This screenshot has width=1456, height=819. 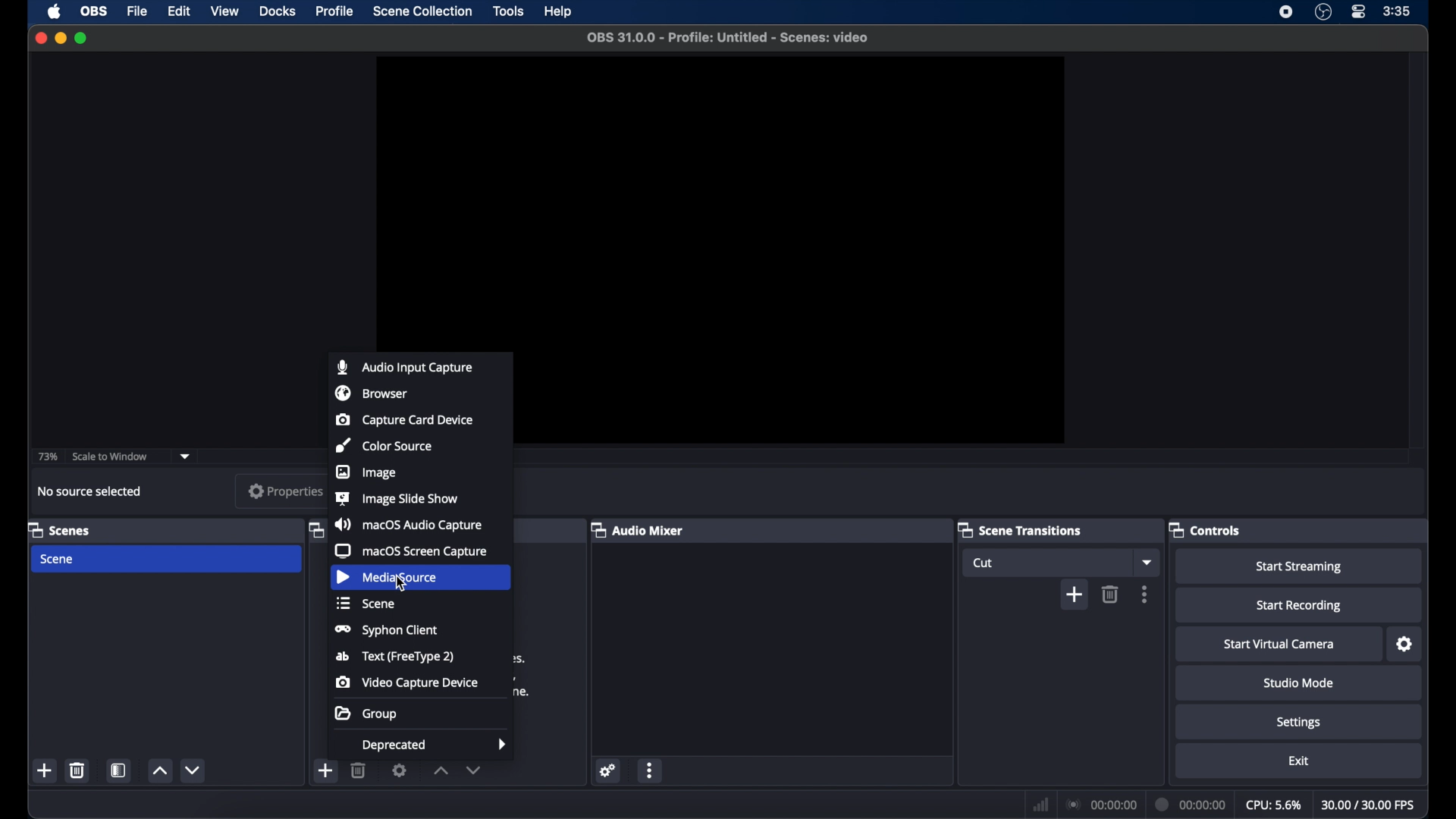 What do you see at coordinates (1404, 644) in the screenshot?
I see `settings` at bounding box center [1404, 644].